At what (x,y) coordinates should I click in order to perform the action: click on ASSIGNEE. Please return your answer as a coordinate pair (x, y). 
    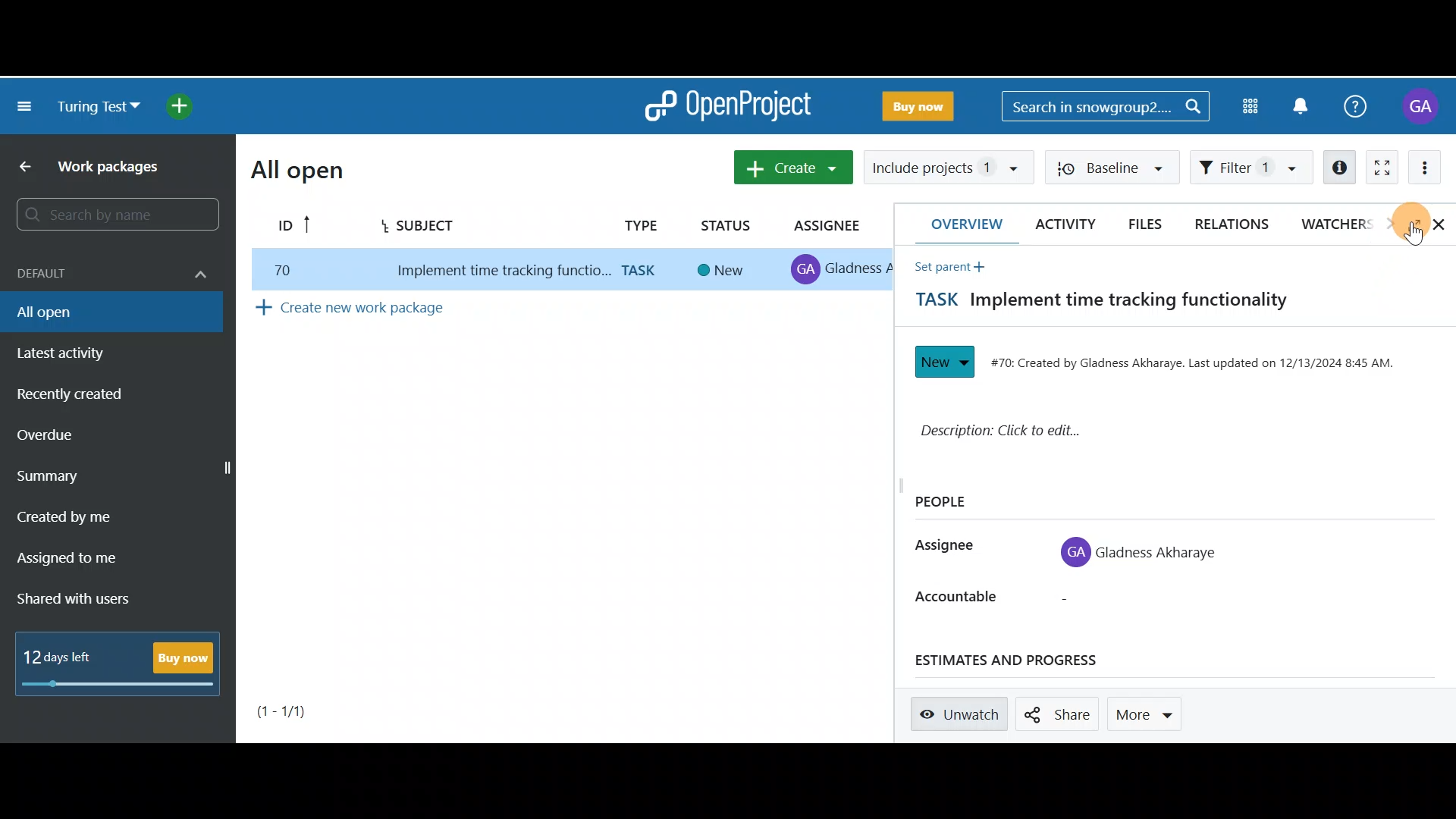
    Looking at the image, I should click on (825, 225).